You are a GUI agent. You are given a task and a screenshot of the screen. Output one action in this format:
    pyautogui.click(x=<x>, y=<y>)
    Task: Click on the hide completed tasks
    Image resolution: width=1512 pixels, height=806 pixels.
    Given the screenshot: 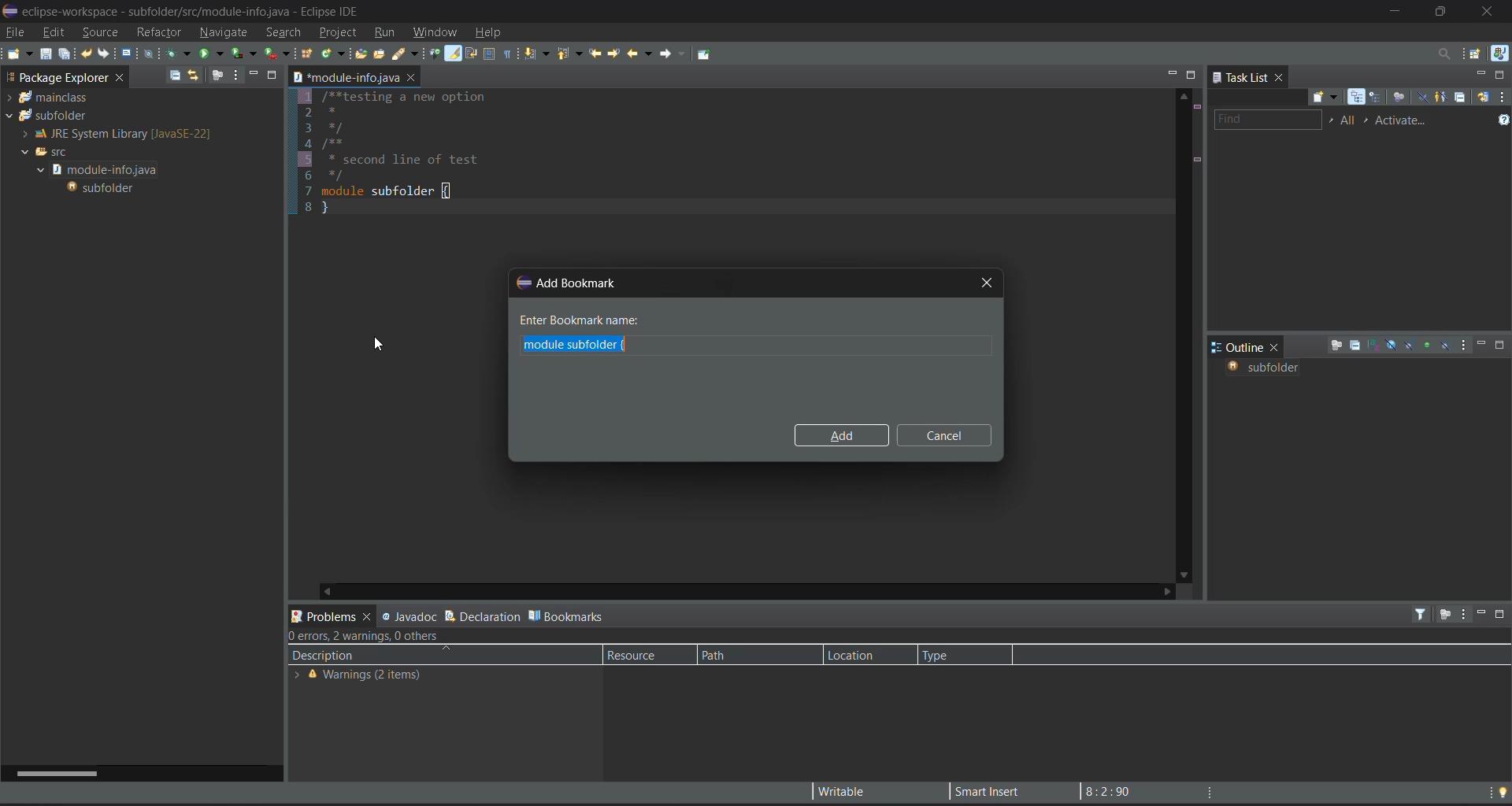 What is the action you would take?
    pyautogui.click(x=1423, y=98)
    